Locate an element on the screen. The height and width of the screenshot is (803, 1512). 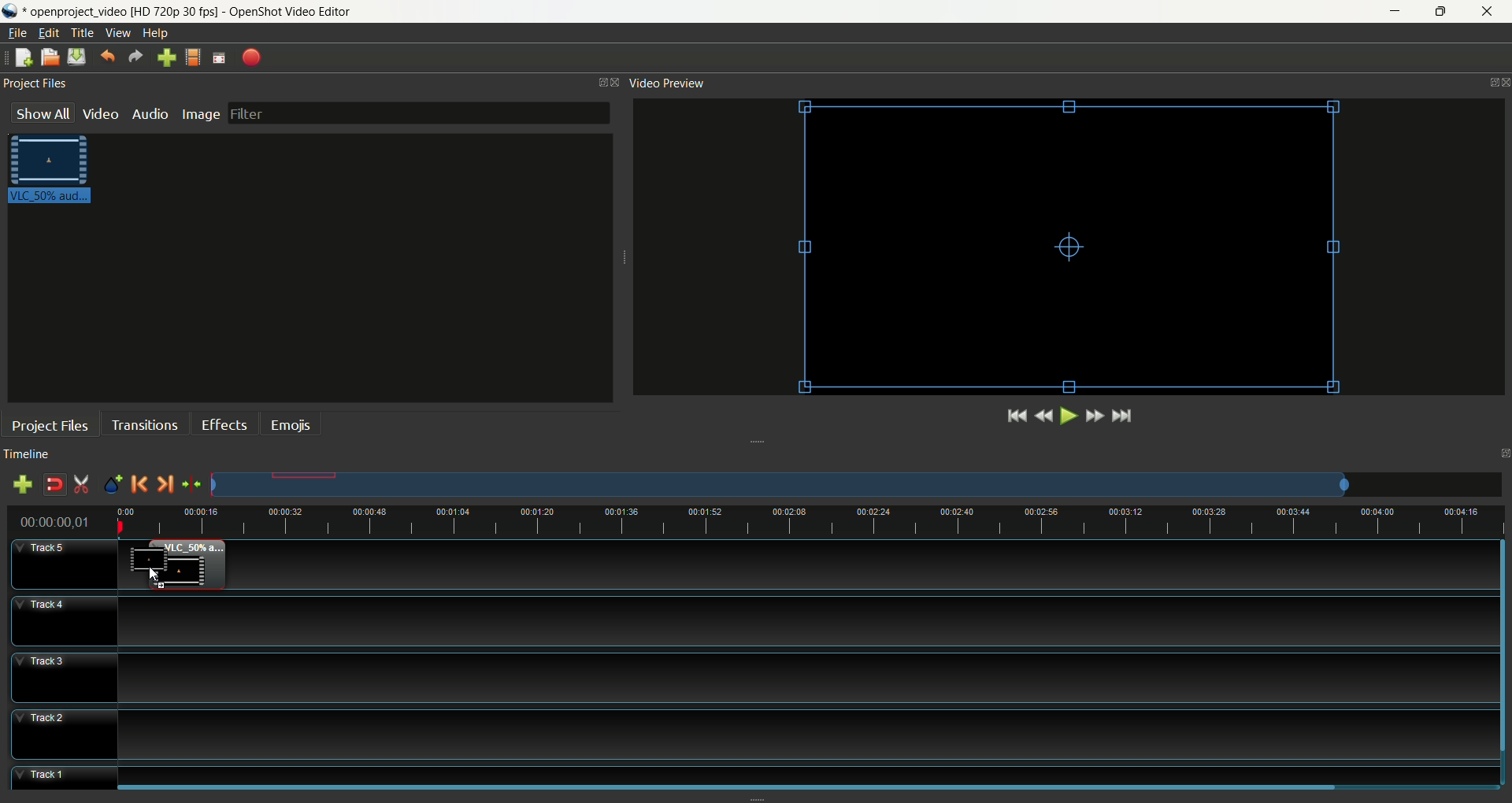
cursor is located at coordinates (154, 578).